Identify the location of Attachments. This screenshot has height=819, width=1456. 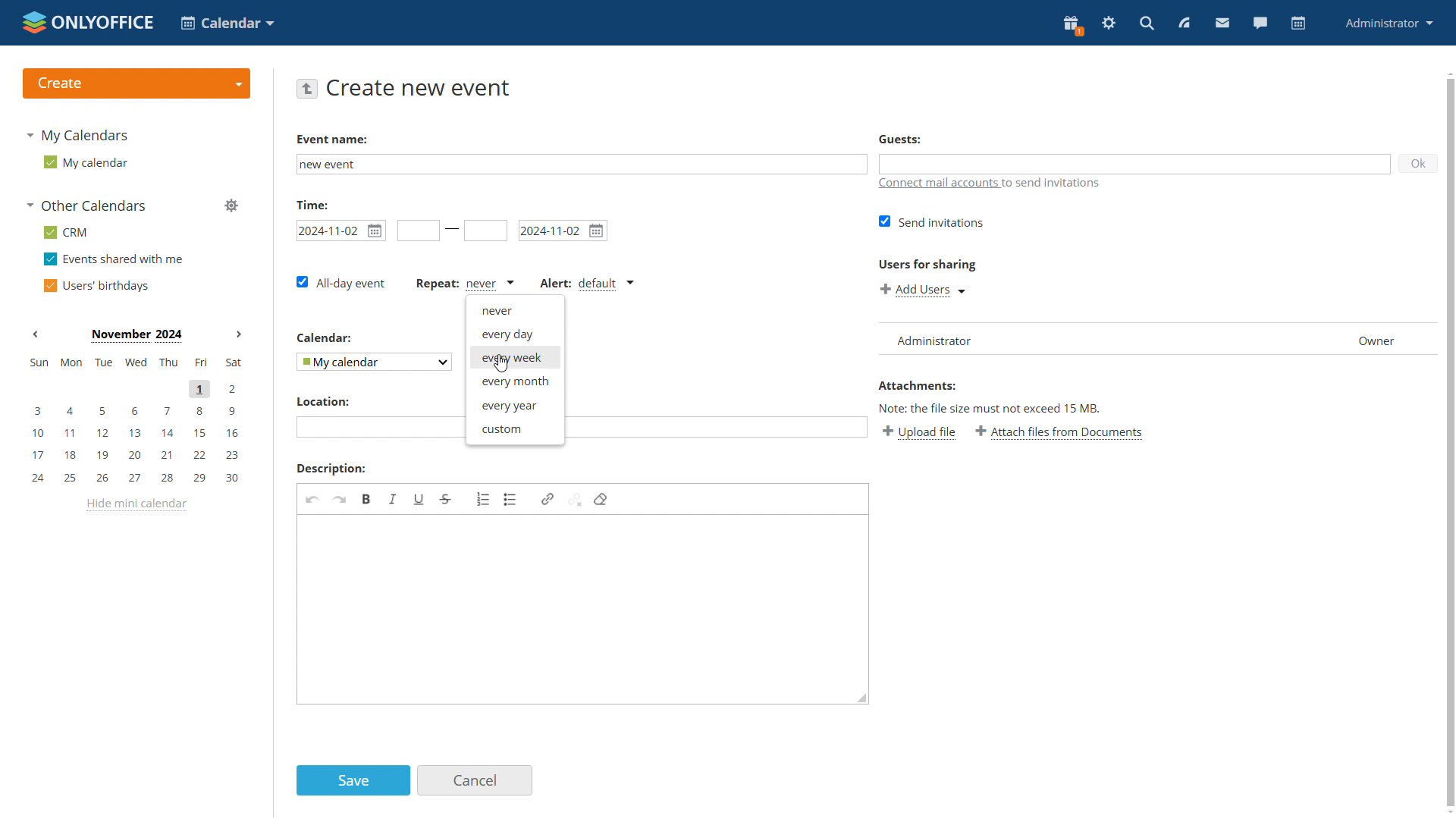
(917, 385).